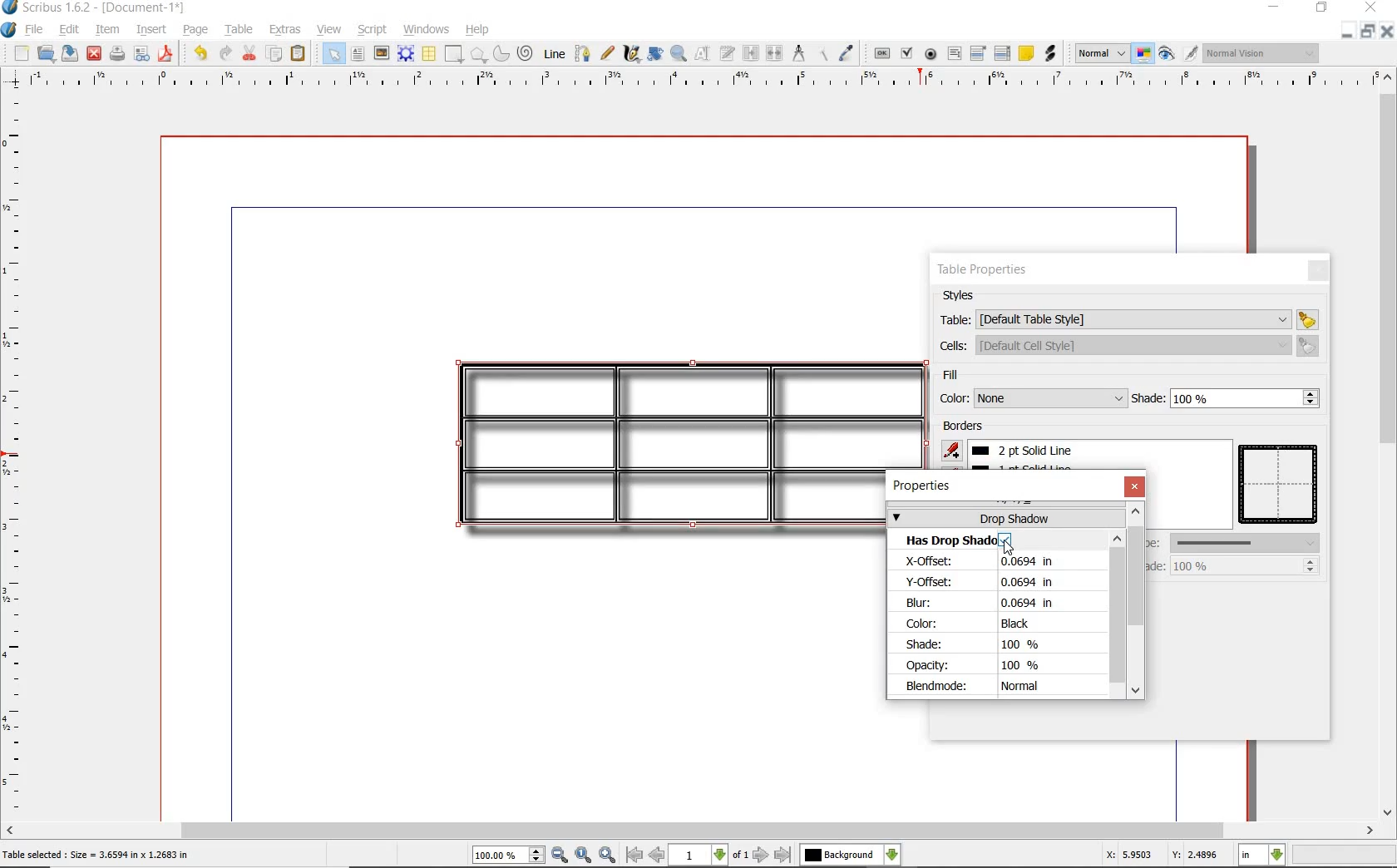 Image resolution: width=1397 pixels, height=868 pixels. I want to click on edit text with story editor, so click(727, 53).